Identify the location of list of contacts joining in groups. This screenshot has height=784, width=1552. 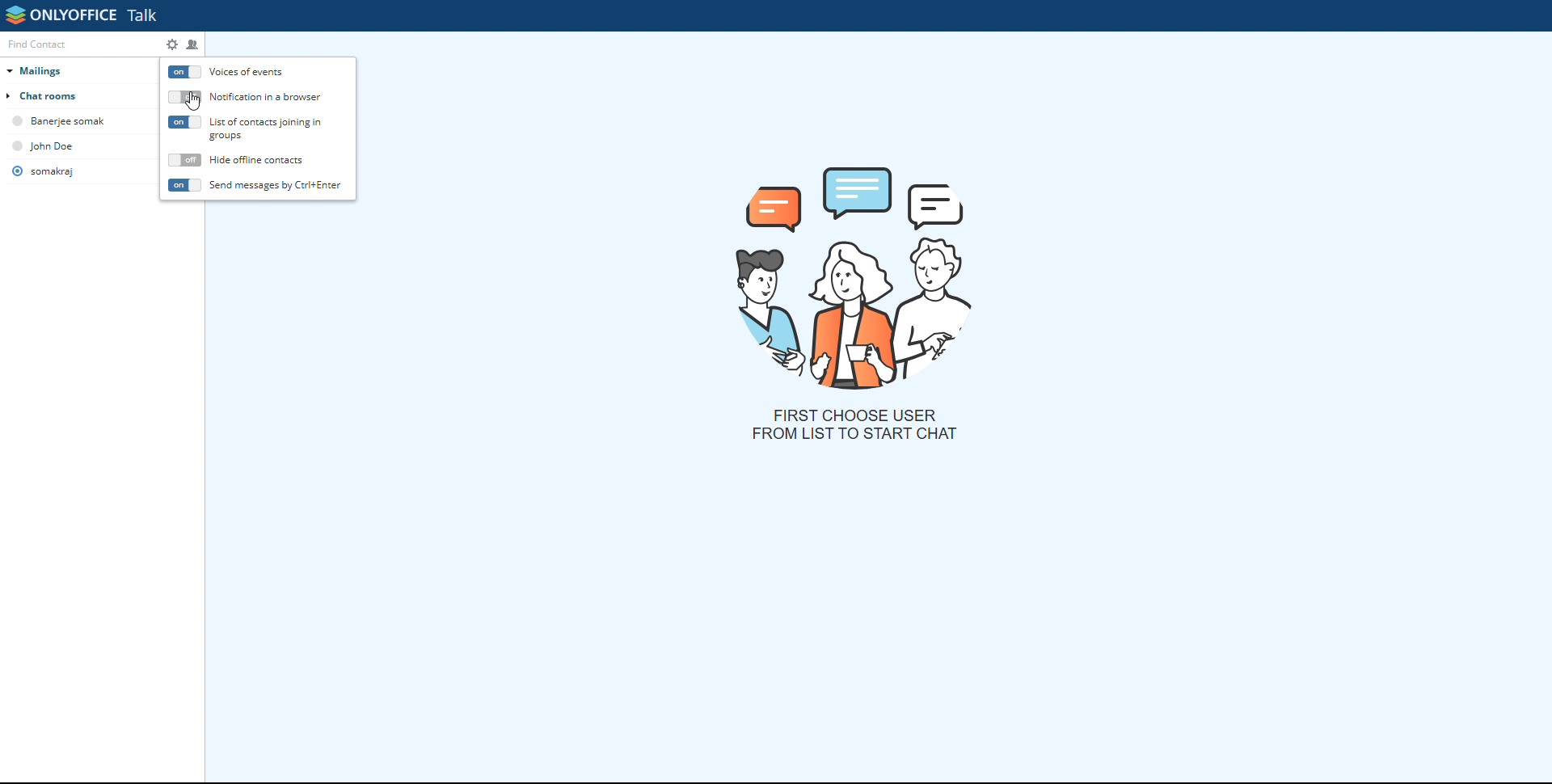
(184, 122).